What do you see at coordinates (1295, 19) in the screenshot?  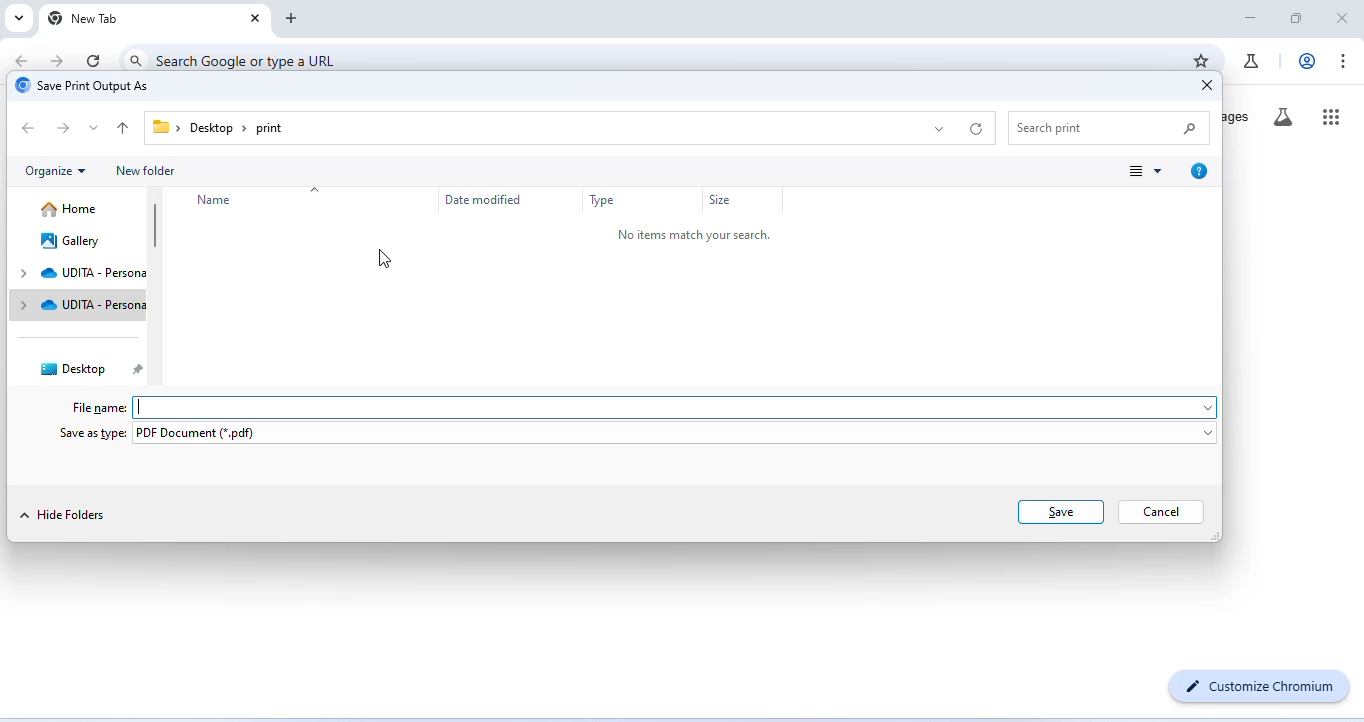 I see `maximize` at bounding box center [1295, 19].